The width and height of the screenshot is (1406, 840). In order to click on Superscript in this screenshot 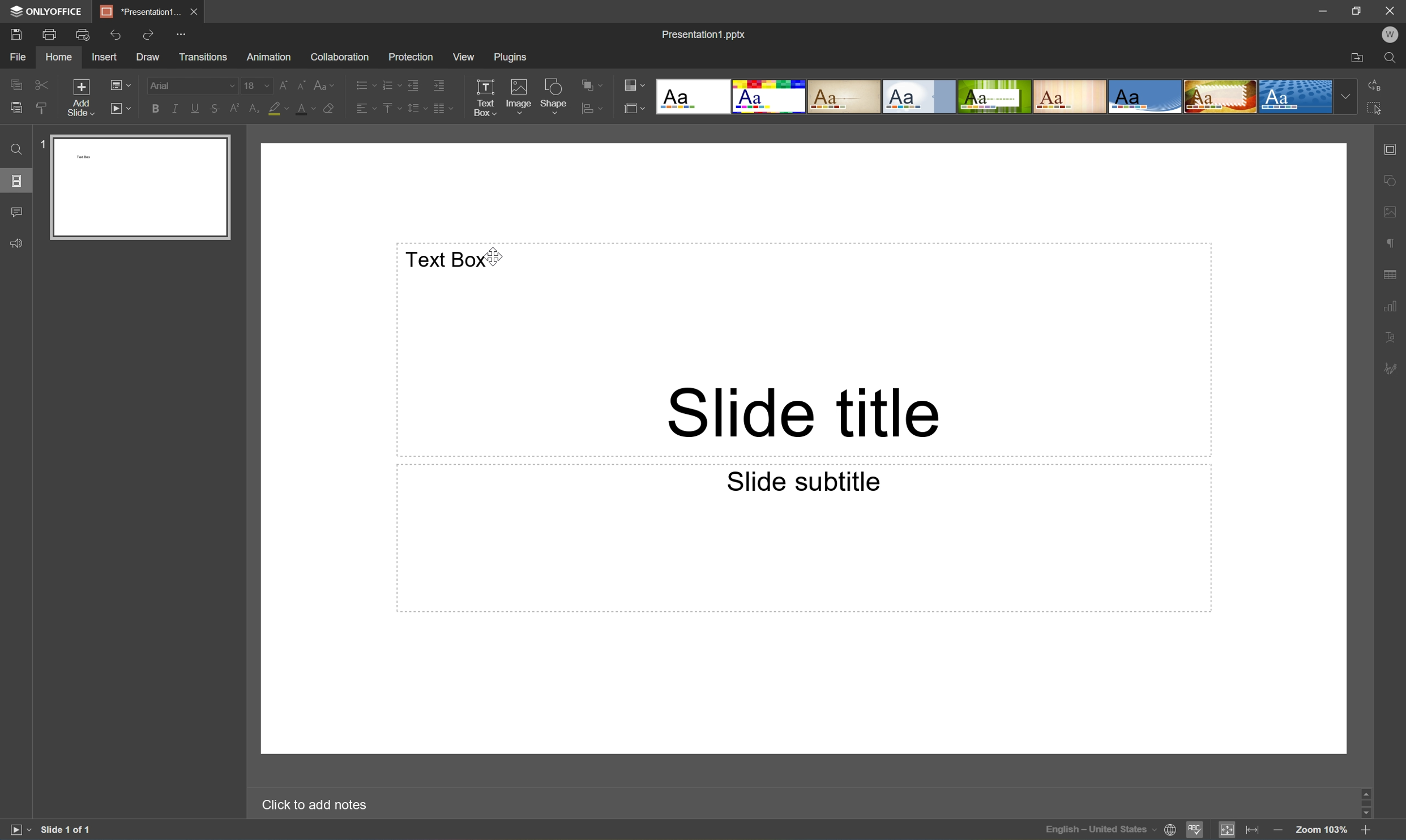, I will do `click(231, 108)`.